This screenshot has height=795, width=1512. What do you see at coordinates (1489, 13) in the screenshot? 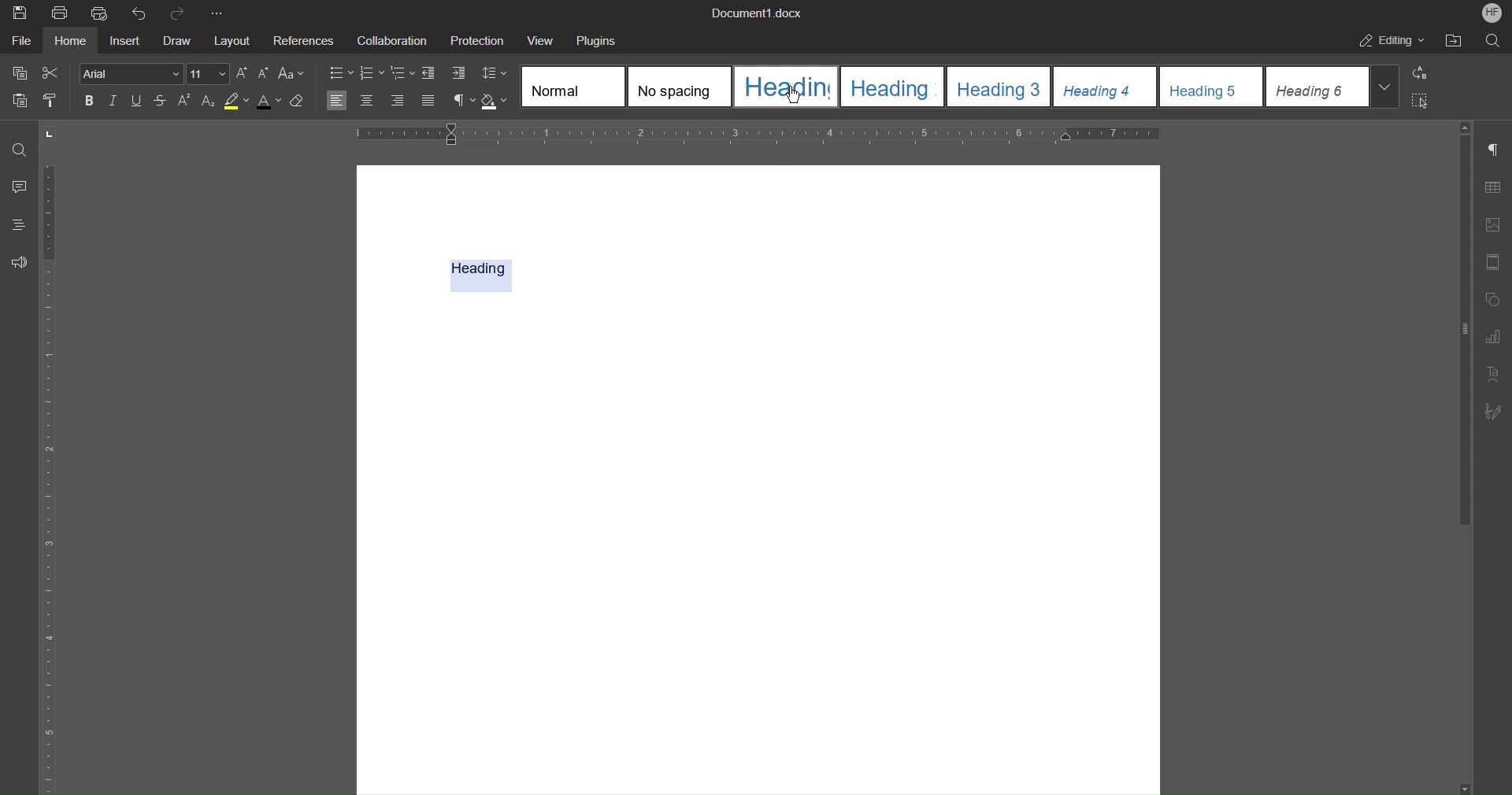
I see `HF` at bounding box center [1489, 13].